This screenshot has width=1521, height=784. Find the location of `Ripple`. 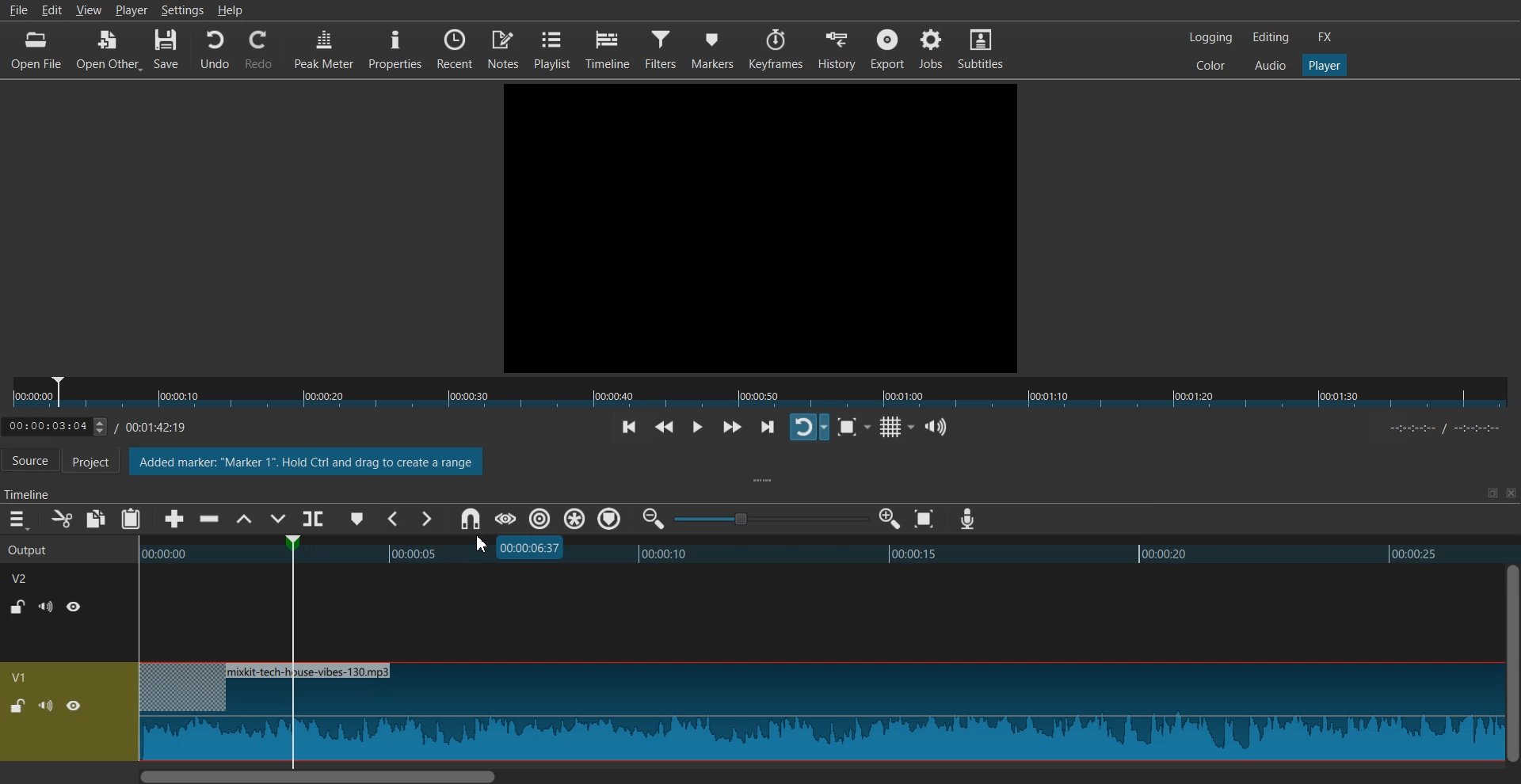

Ripple is located at coordinates (540, 519).